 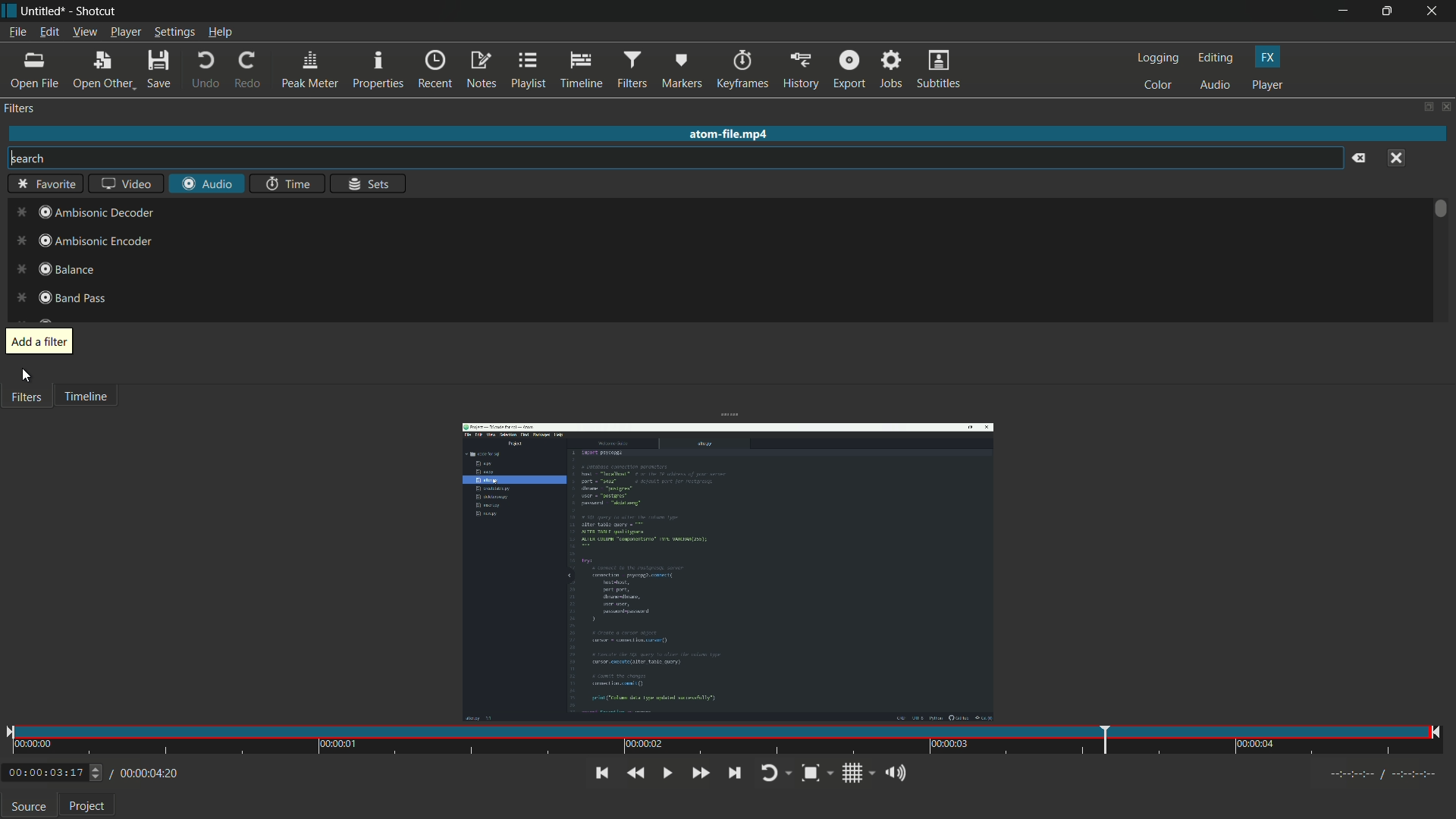 What do you see at coordinates (206, 183) in the screenshot?
I see `audio` at bounding box center [206, 183].